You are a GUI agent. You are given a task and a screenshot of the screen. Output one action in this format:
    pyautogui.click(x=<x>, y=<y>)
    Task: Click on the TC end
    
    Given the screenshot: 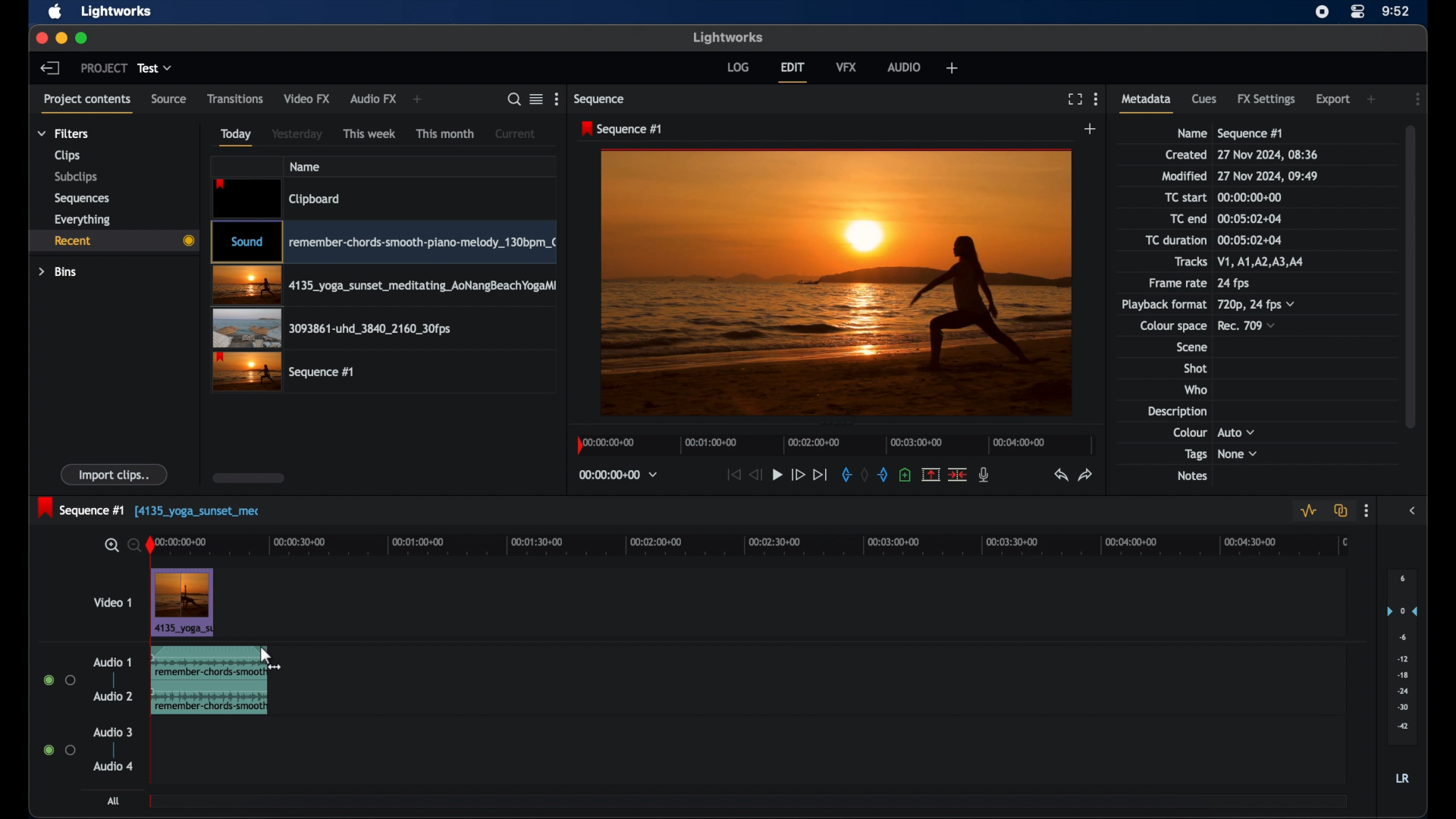 What is the action you would take?
    pyautogui.click(x=1178, y=218)
    